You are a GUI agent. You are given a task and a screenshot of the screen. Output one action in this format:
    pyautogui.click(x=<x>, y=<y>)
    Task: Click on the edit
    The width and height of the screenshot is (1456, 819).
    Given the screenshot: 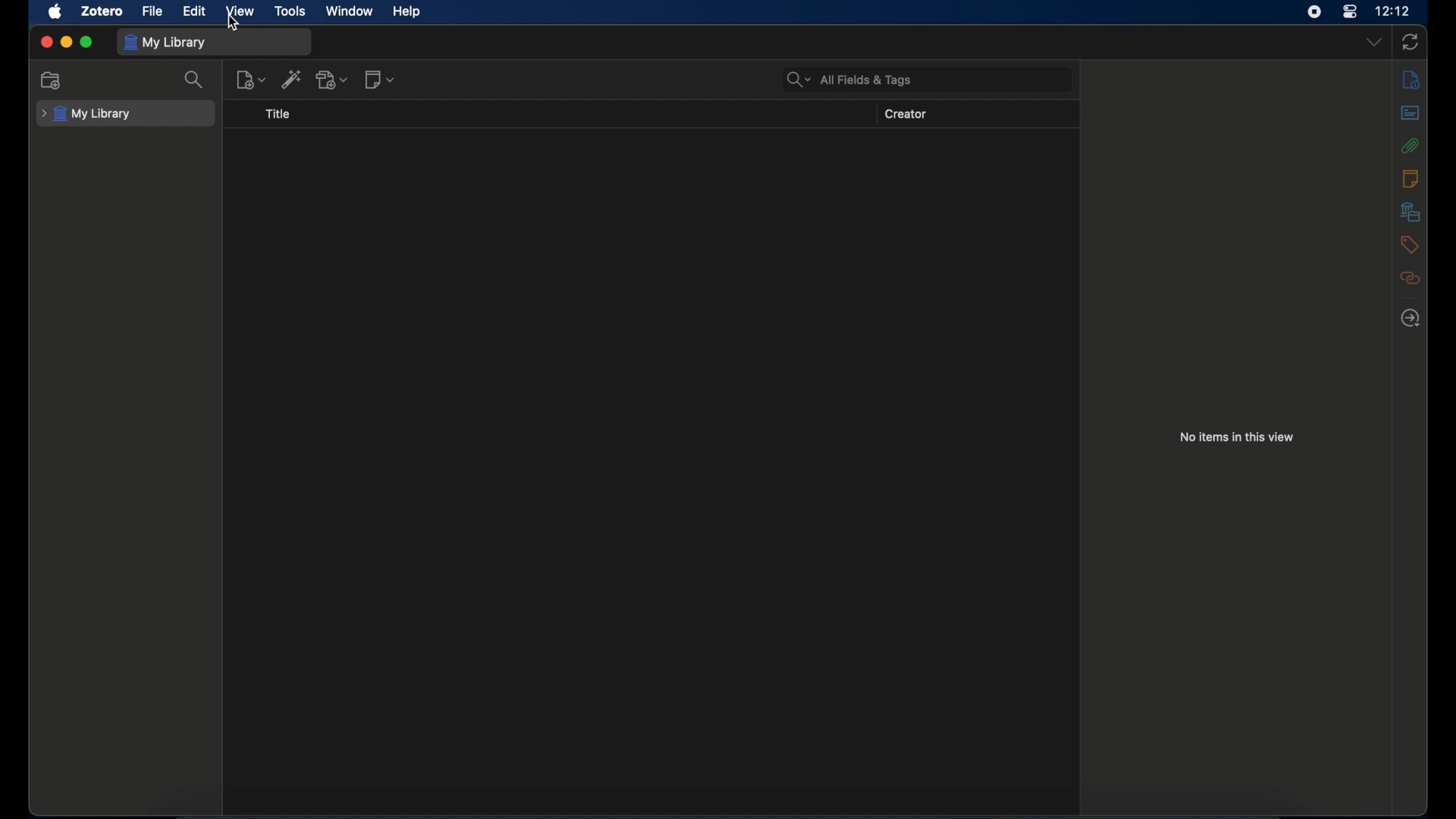 What is the action you would take?
    pyautogui.click(x=196, y=11)
    